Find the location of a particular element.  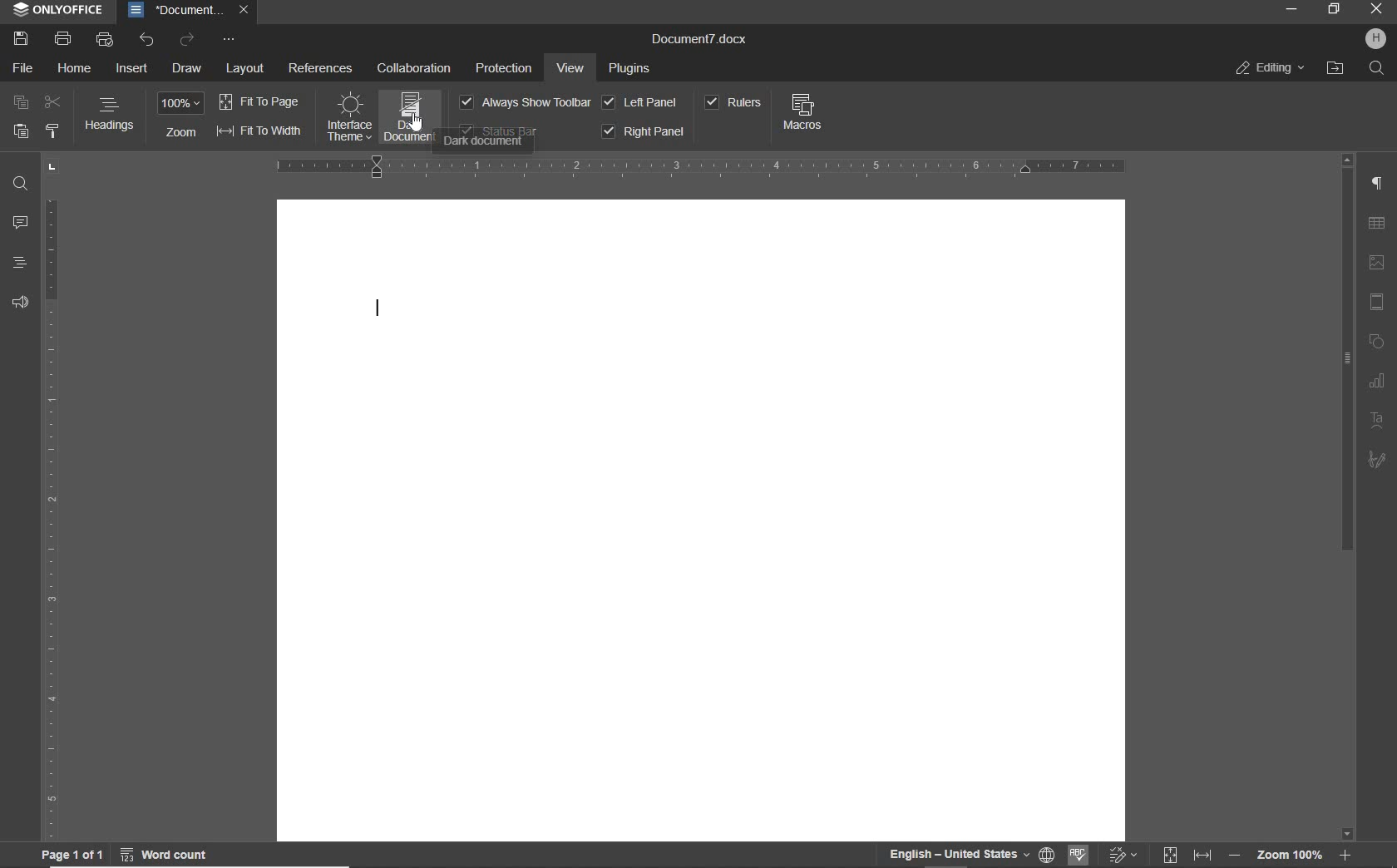

RULERS is located at coordinates (734, 104).